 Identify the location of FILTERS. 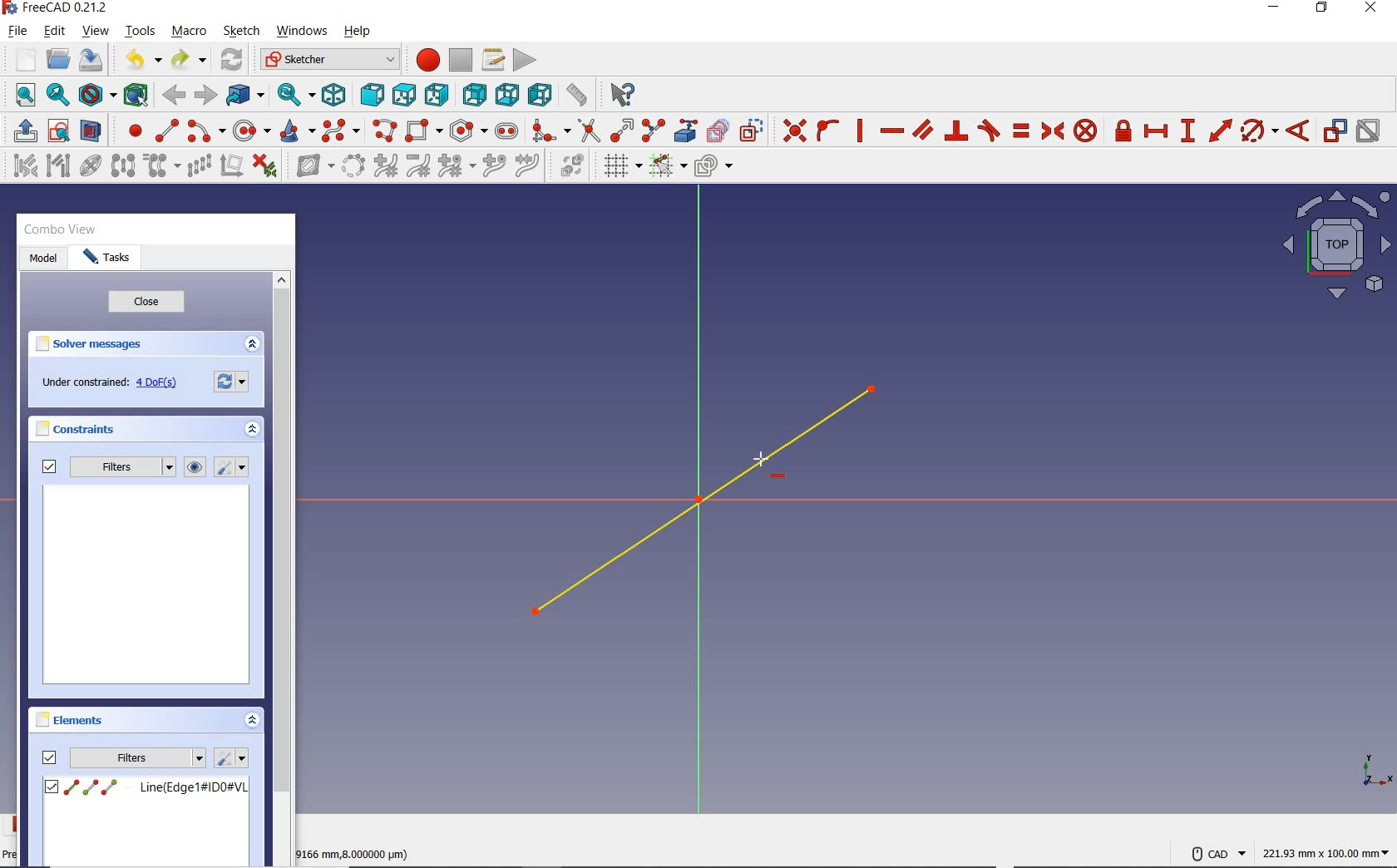
(123, 467).